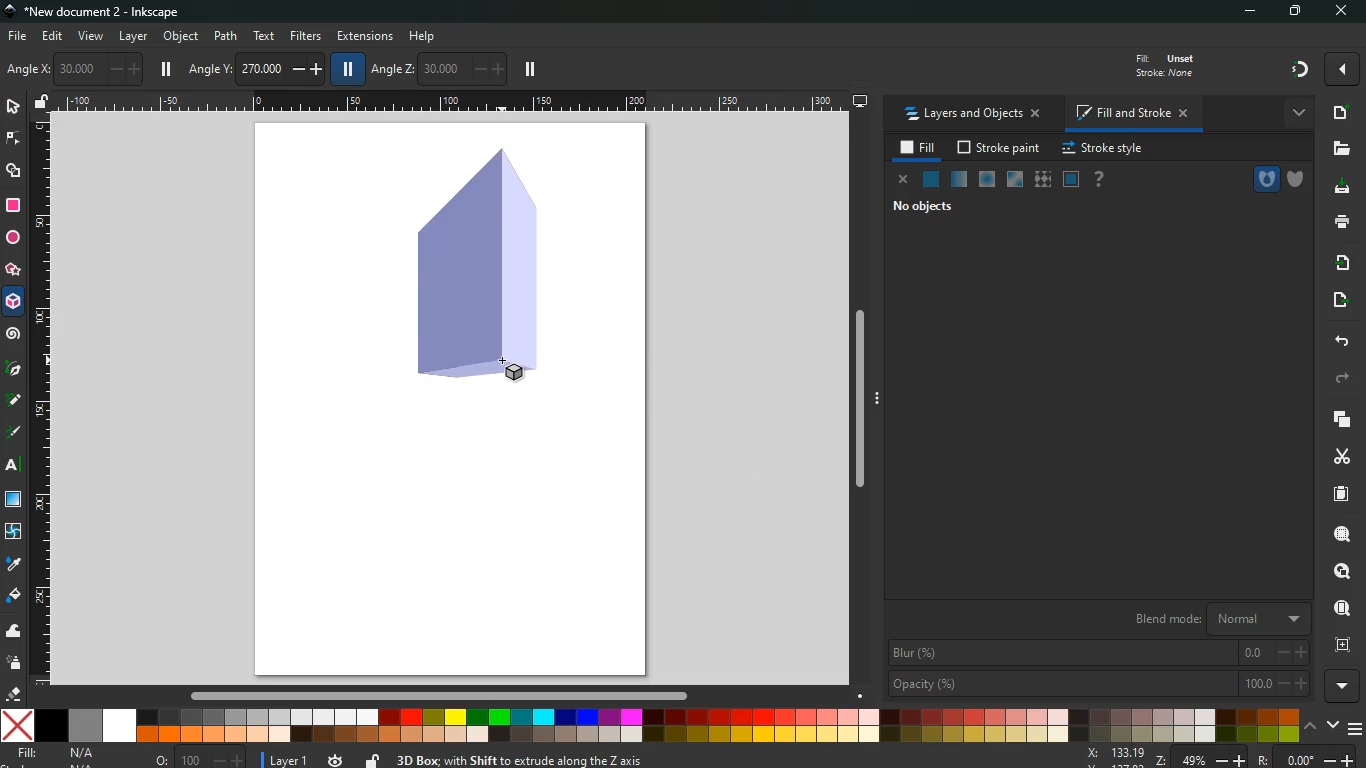  Describe the element at coordinates (134, 37) in the screenshot. I see `layer` at that location.